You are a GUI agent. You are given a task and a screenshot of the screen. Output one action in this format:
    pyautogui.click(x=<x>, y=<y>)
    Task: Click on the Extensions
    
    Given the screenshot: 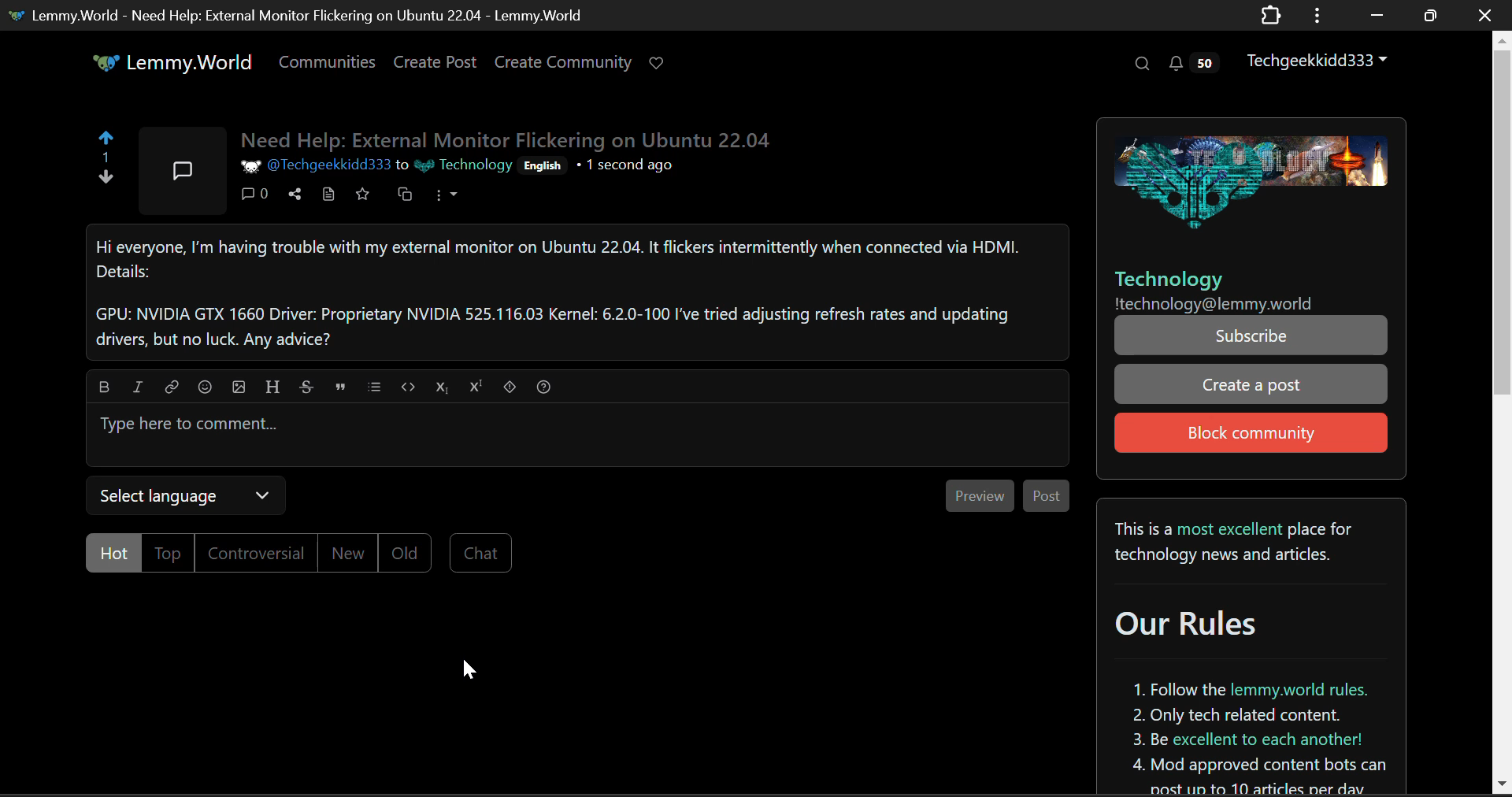 What is the action you would take?
    pyautogui.click(x=1271, y=17)
    